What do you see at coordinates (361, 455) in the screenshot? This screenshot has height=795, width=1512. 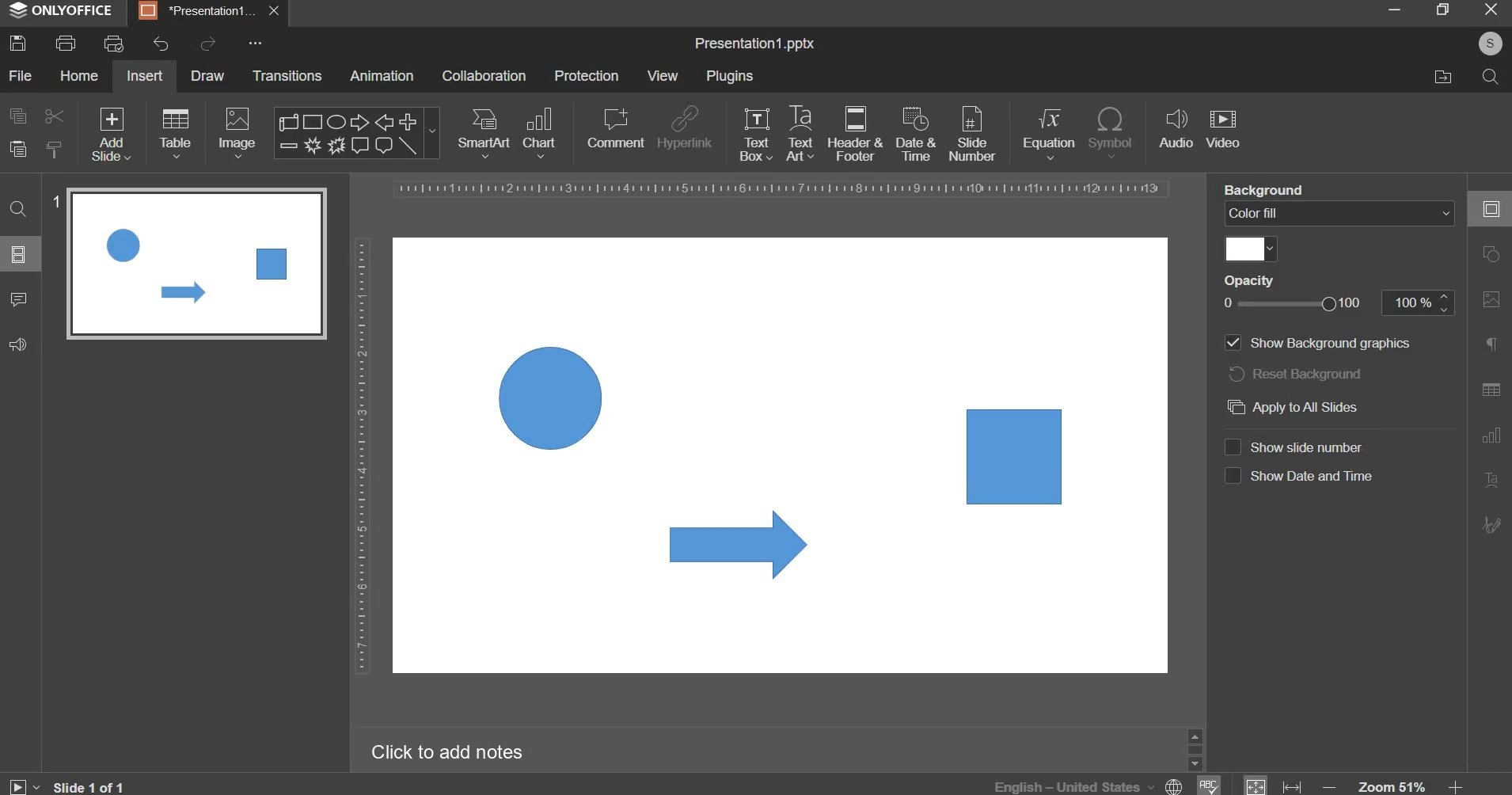 I see `vertical scale` at bounding box center [361, 455].